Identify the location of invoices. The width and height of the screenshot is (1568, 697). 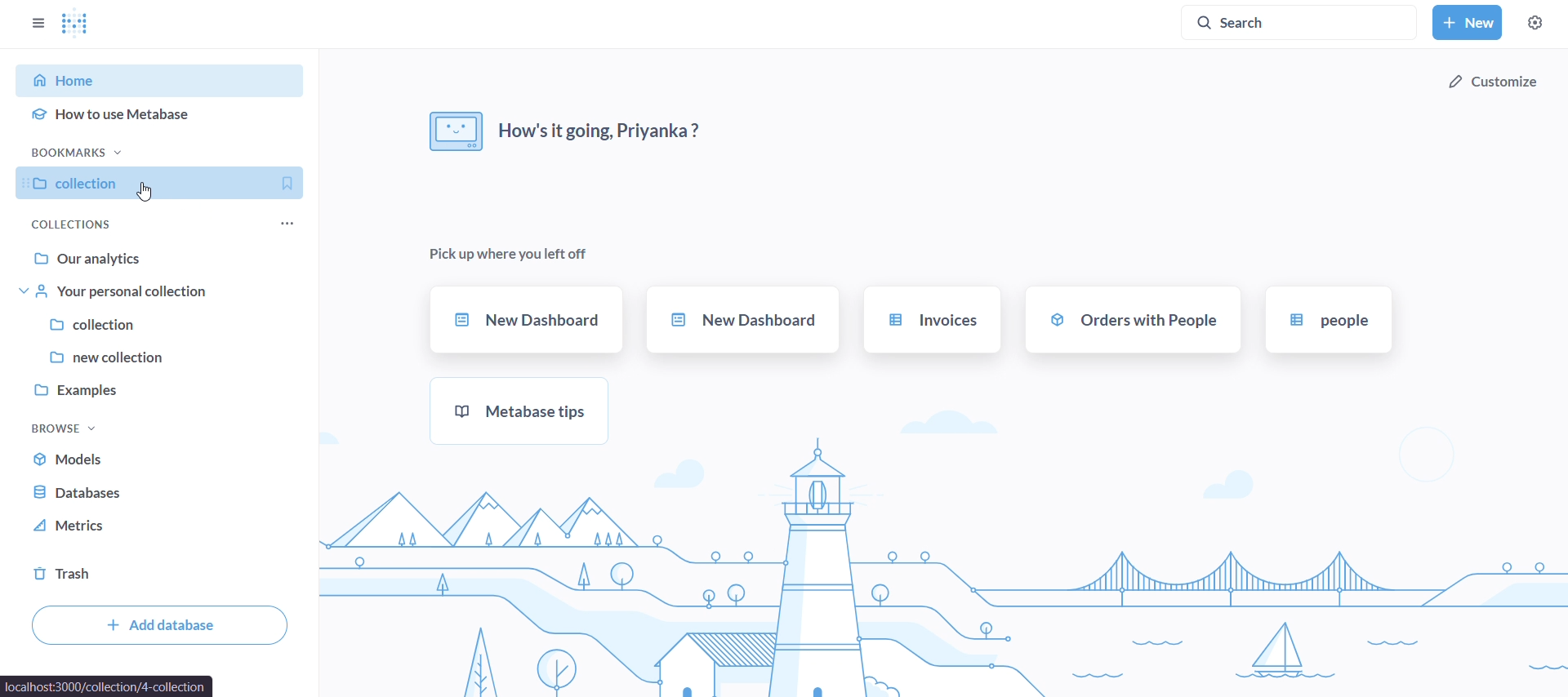
(932, 319).